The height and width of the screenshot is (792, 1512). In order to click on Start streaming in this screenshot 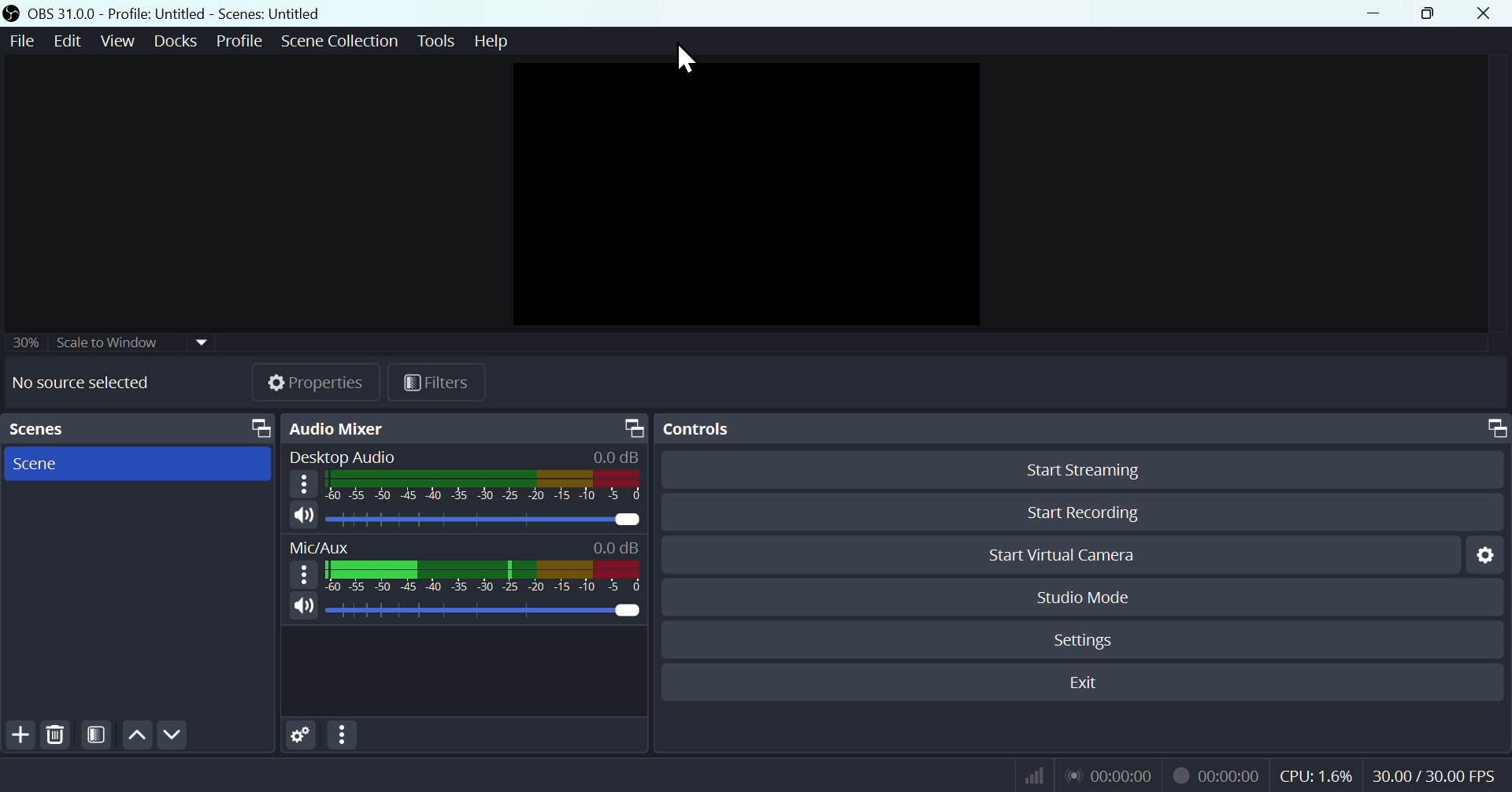, I will do `click(1080, 472)`.